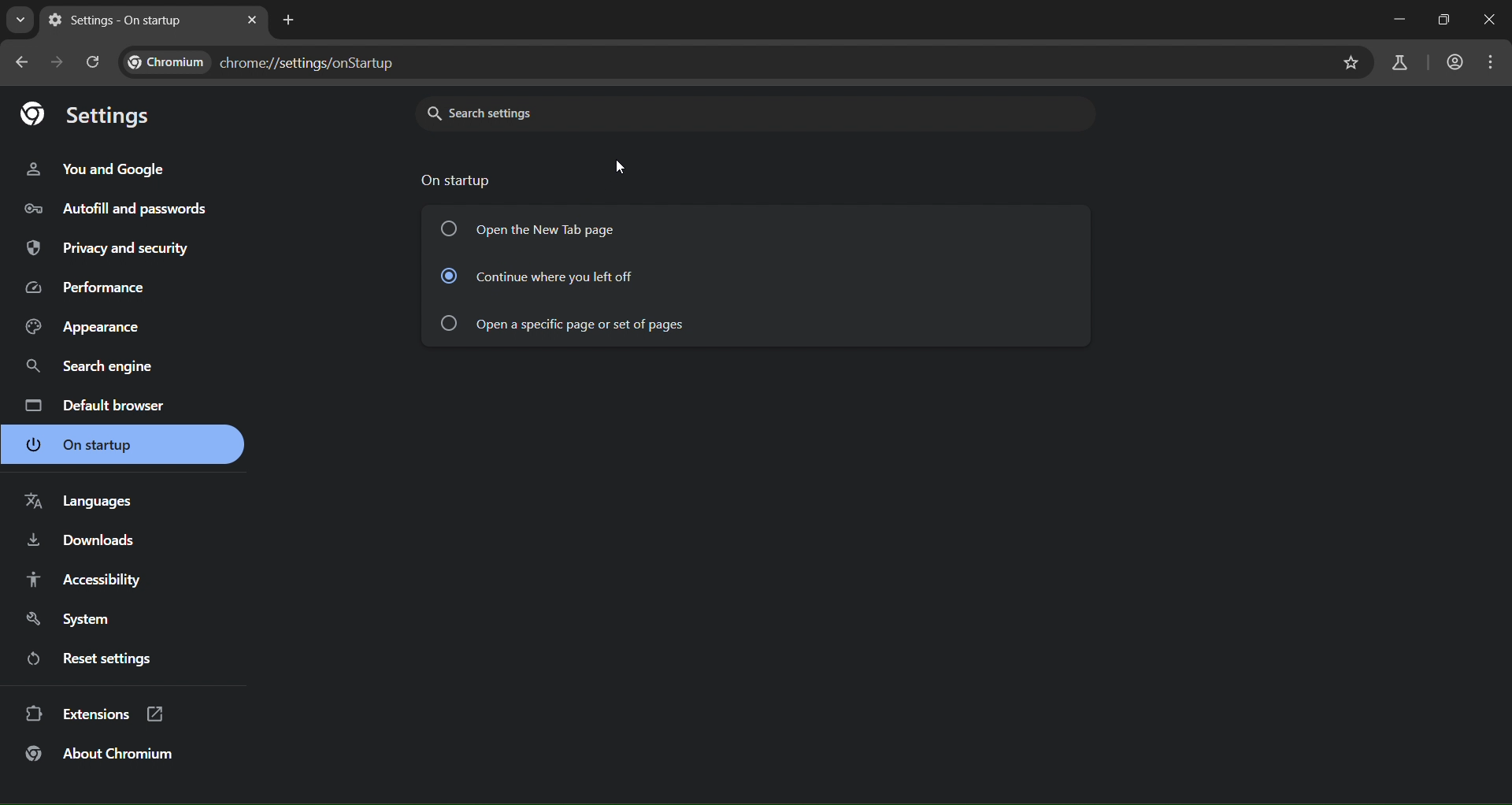 This screenshot has width=1512, height=805. Describe the element at coordinates (1447, 20) in the screenshot. I see `restore down` at that location.